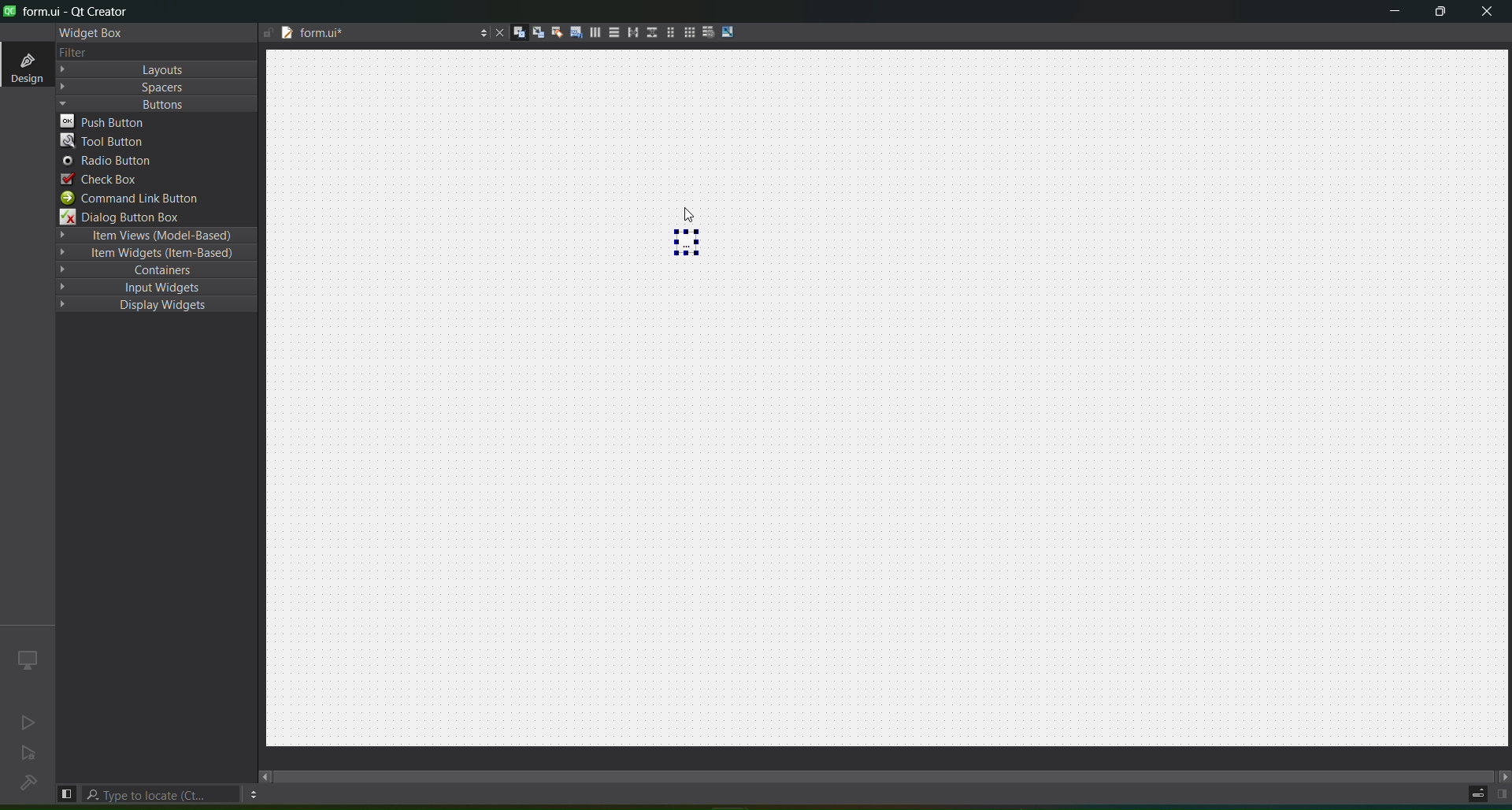 The width and height of the screenshot is (1512, 810). I want to click on command link button, so click(154, 198).